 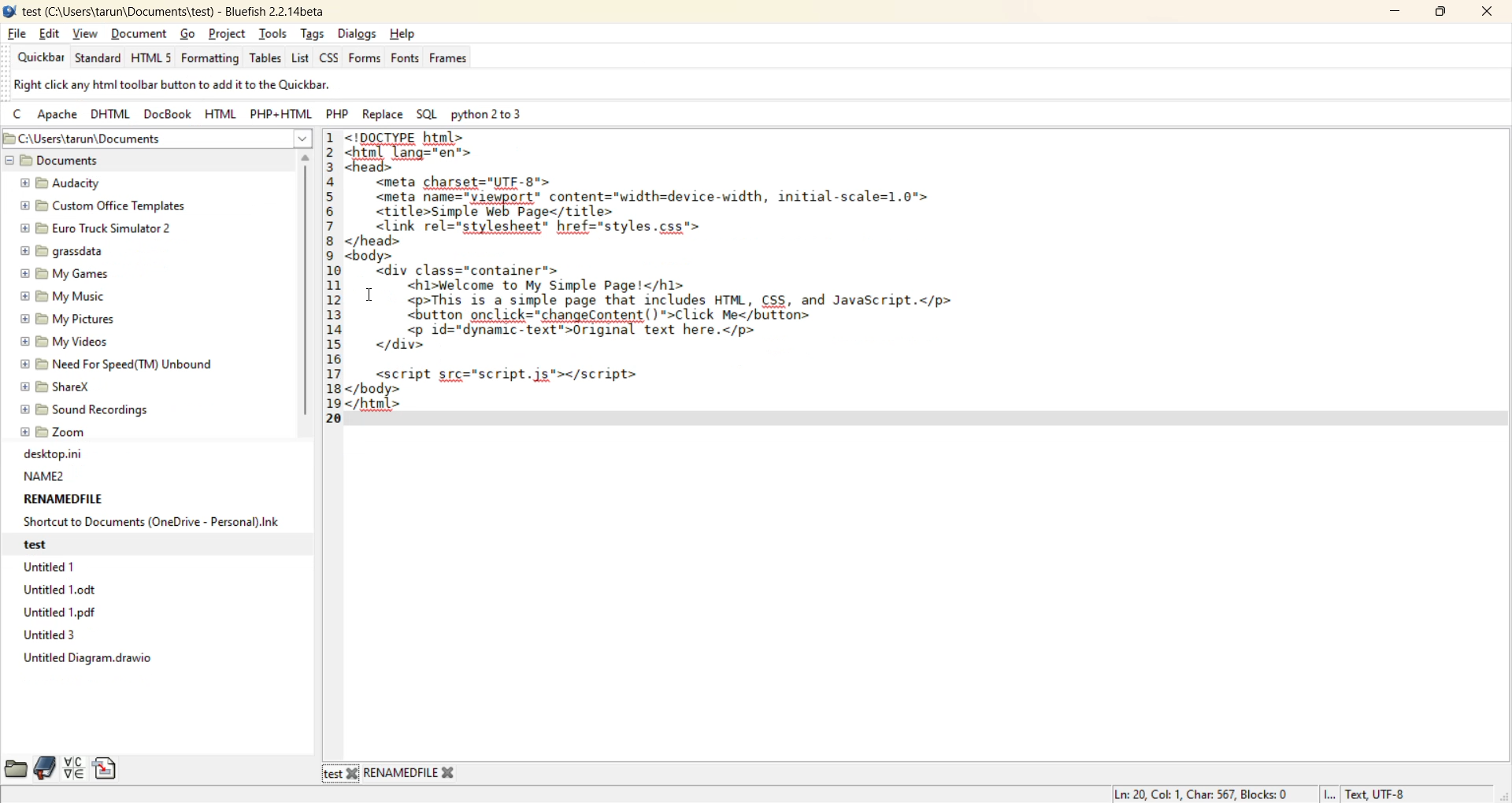 What do you see at coordinates (138, 33) in the screenshot?
I see `document` at bounding box center [138, 33].